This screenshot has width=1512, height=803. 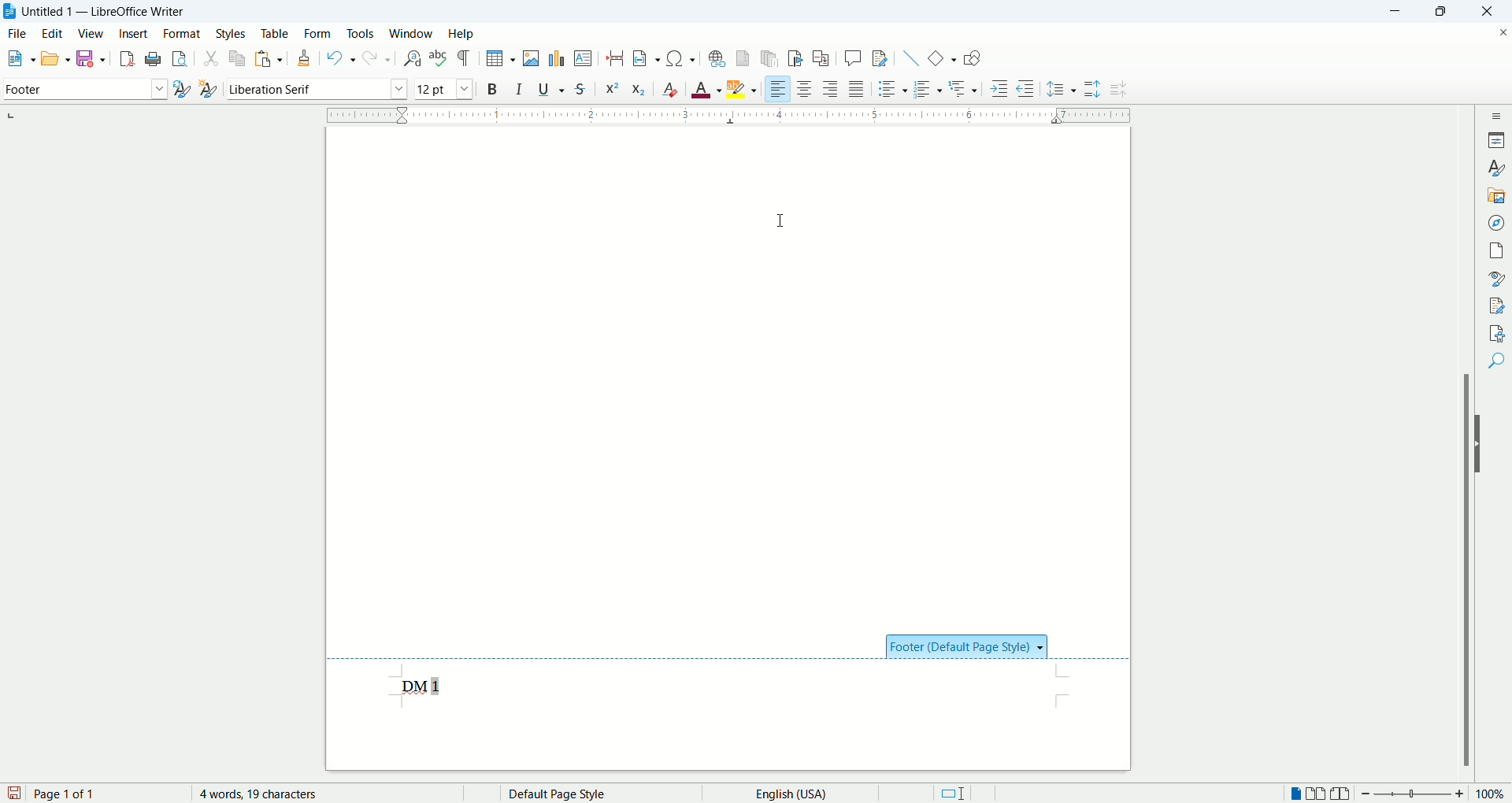 I want to click on insert bookmark, so click(x=799, y=58).